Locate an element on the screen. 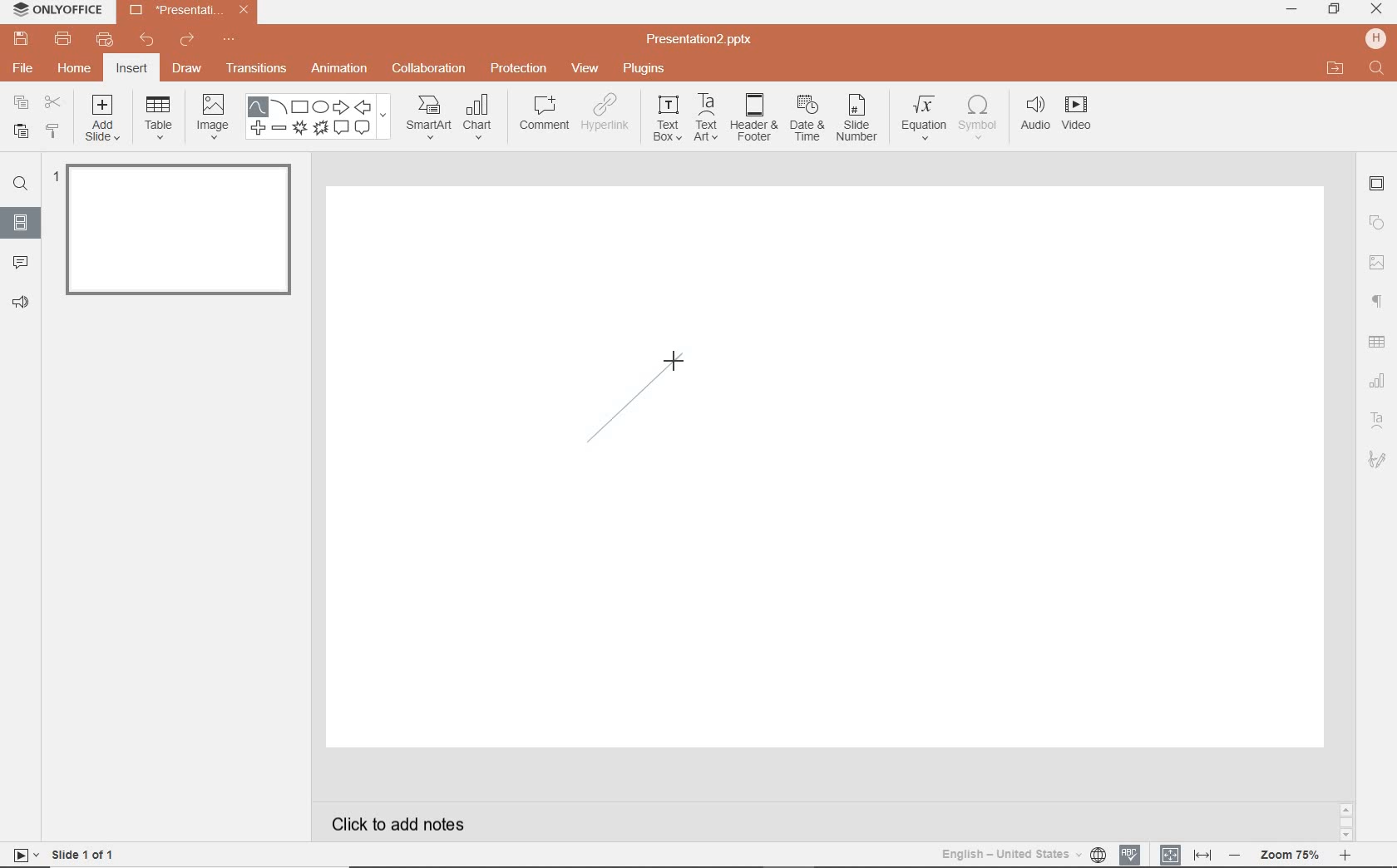  COPY is located at coordinates (17, 102).